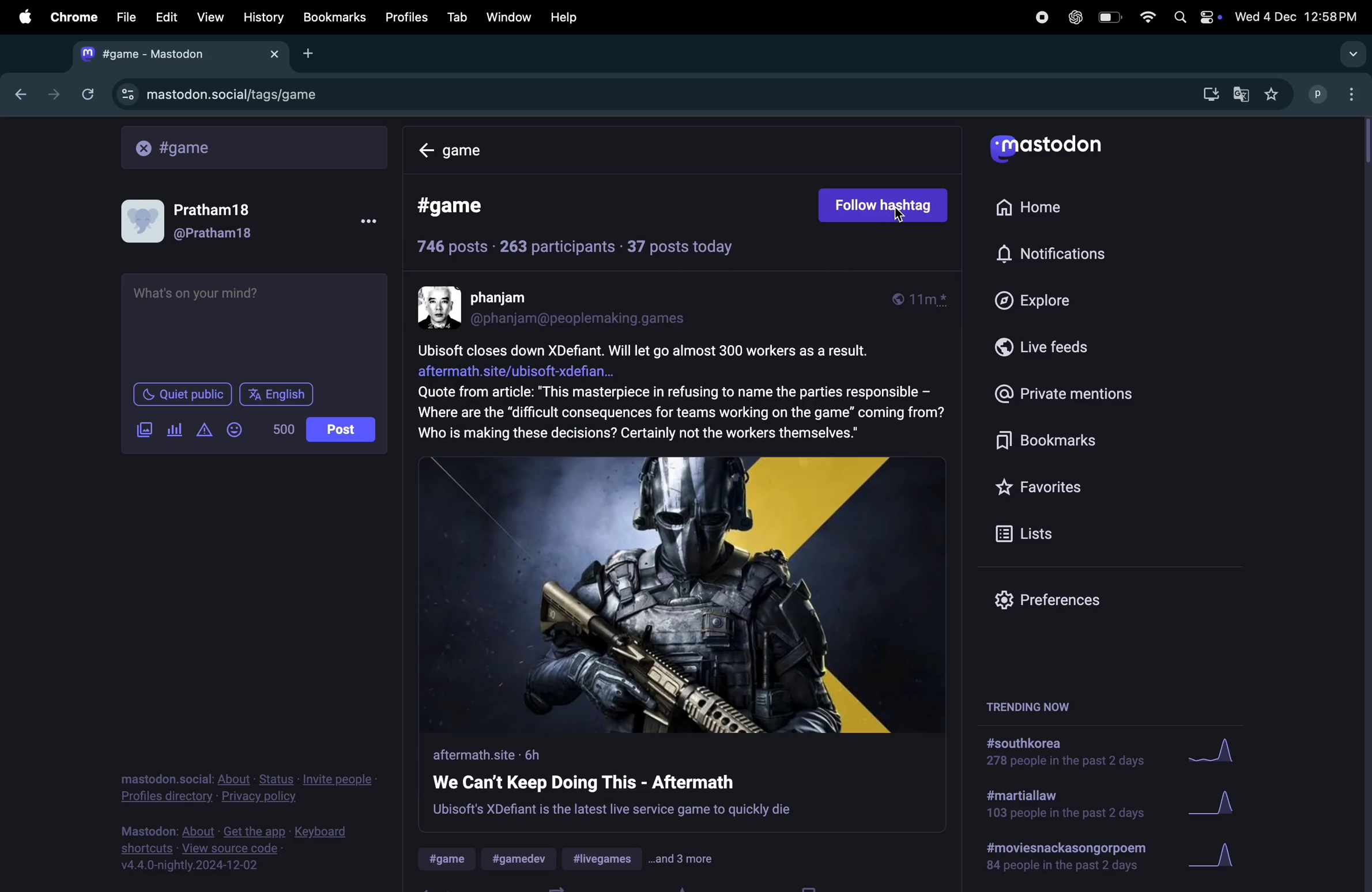 The height and width of the screenshot is (892, 1372). I want to click on add tab, so click(313, 54).